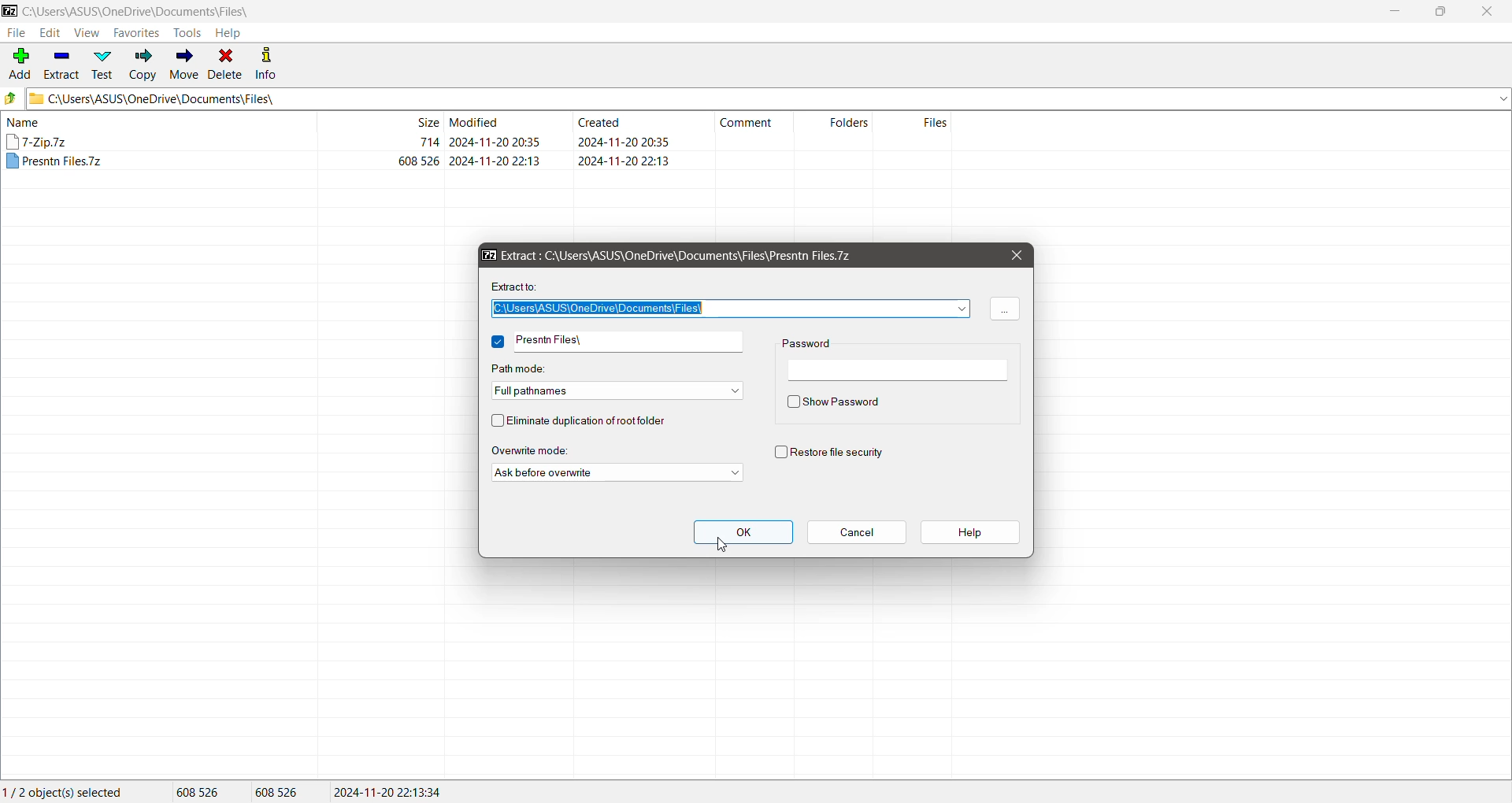 This screenshot has width=1512, height=803. Describe the element at coordinates (1017, 254) in the screenshot. I see `Close` at that location.